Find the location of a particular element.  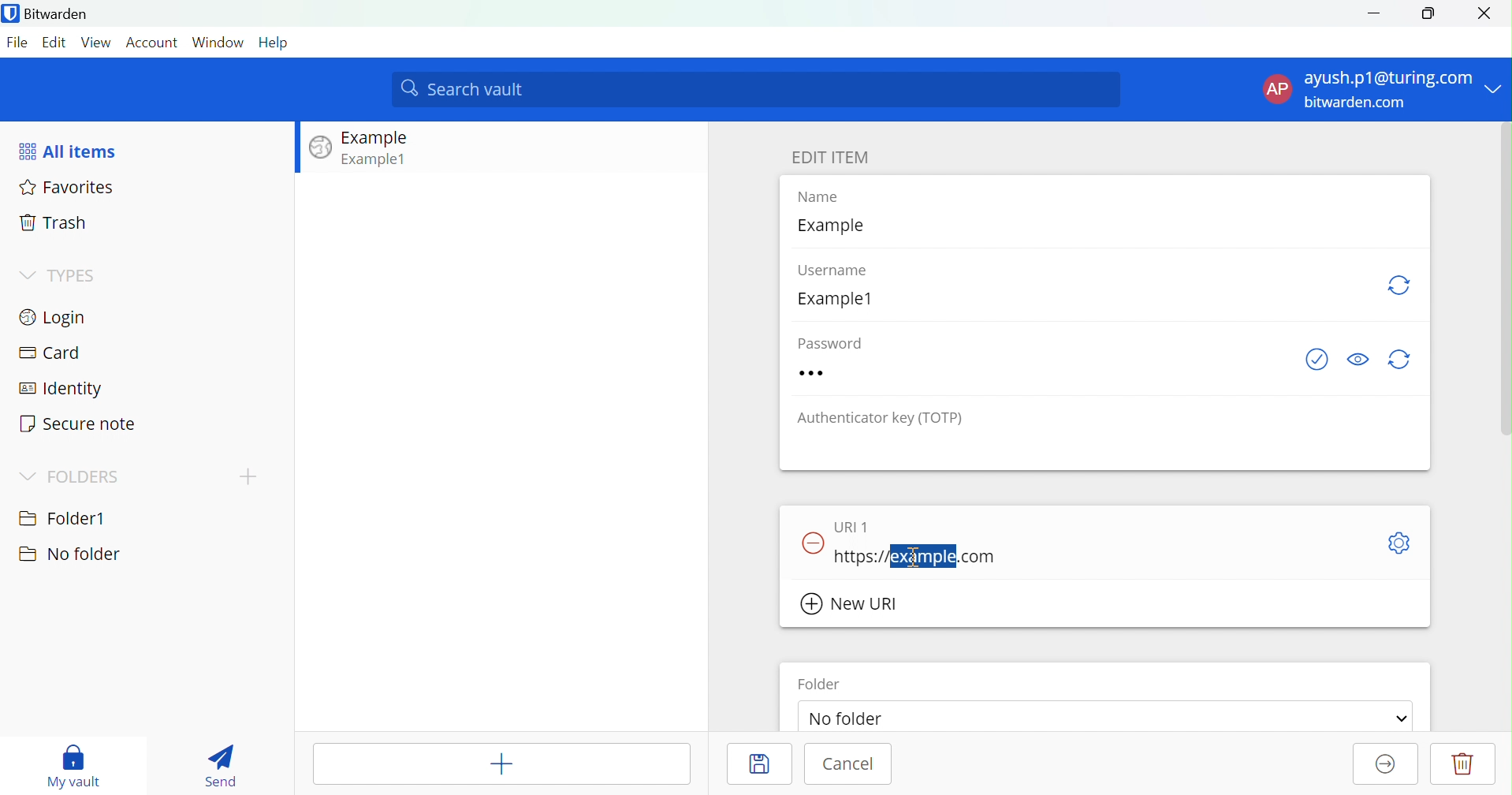

Cancel is located at coordinates (851, 766).